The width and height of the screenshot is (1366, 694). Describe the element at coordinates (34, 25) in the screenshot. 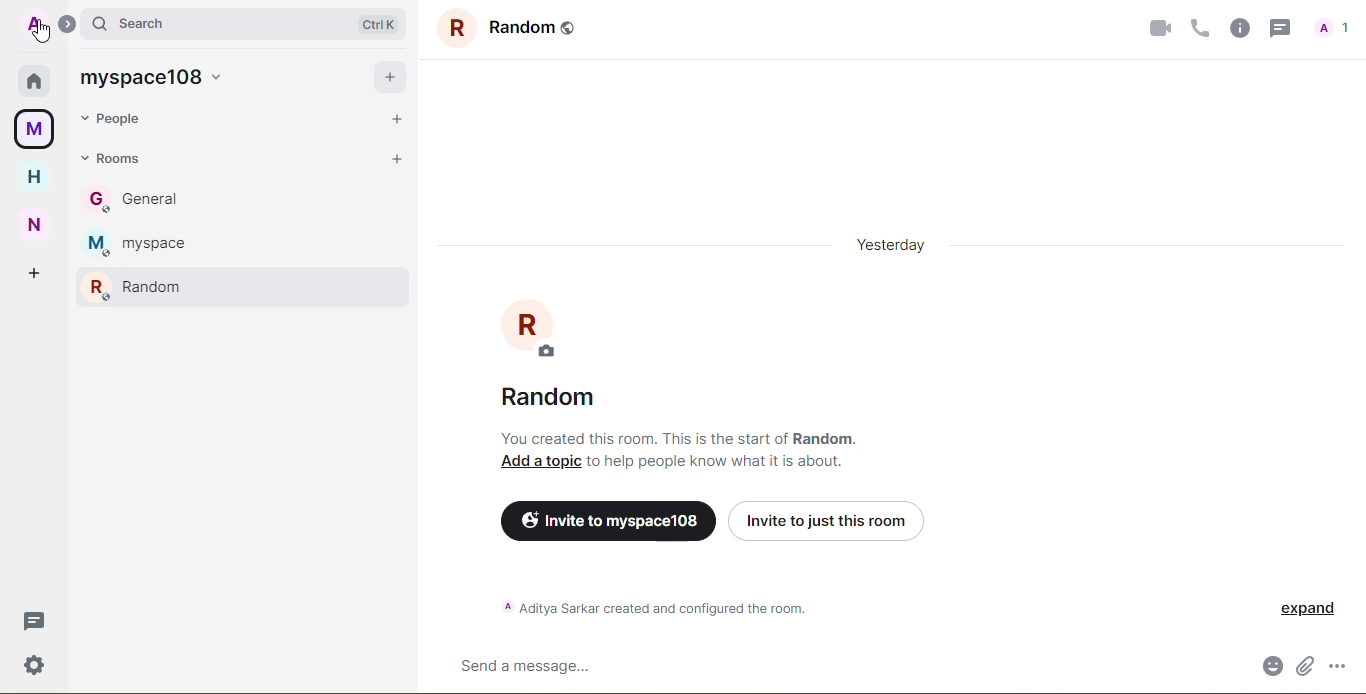

I see `accout` at that location.